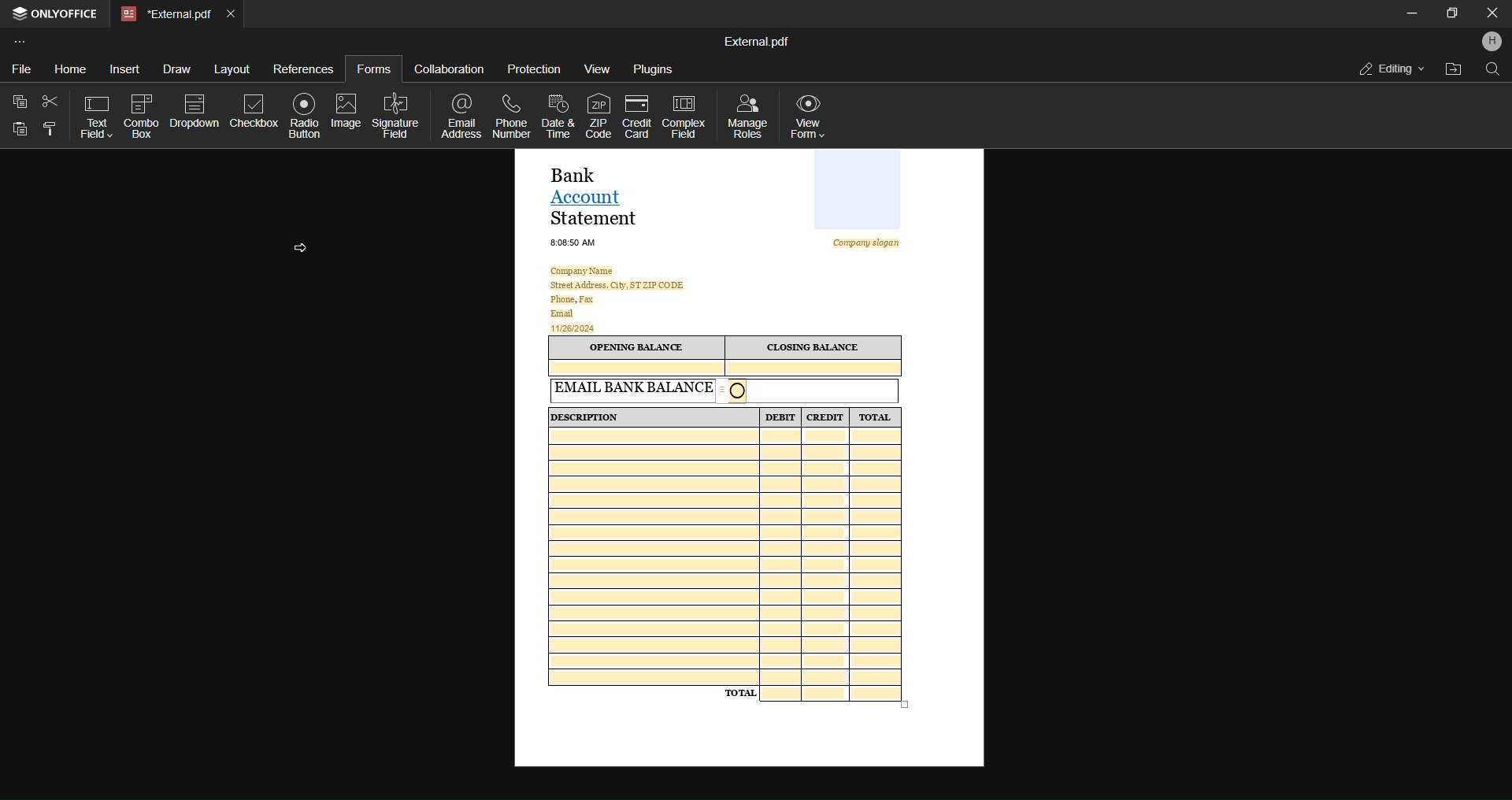 Image resolution: width=1512 pixels, height=800 pixels. I want to click on copy, so click(21, 101).